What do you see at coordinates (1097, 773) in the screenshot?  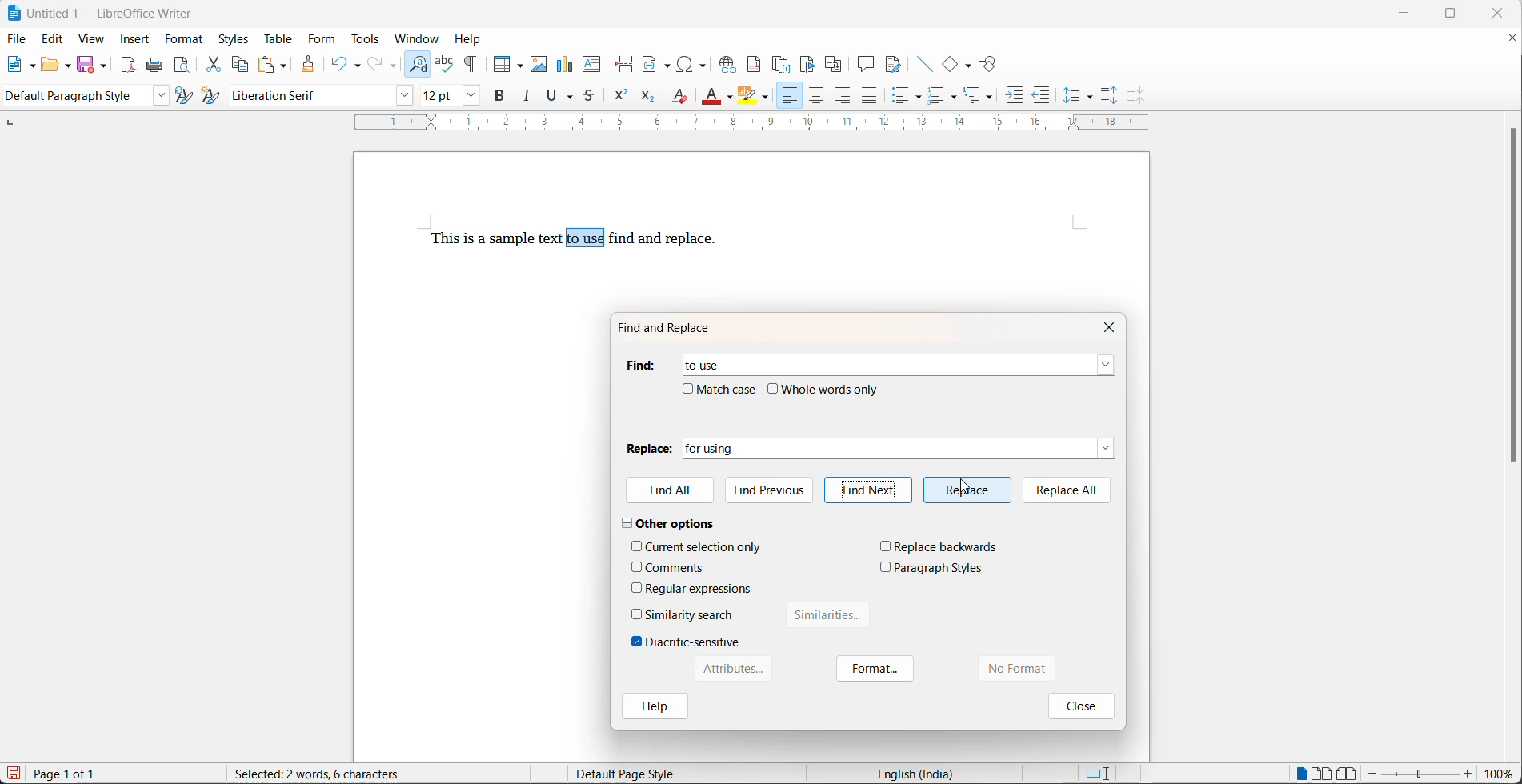 I see `standard selection` at bounding box center [1097, 773].